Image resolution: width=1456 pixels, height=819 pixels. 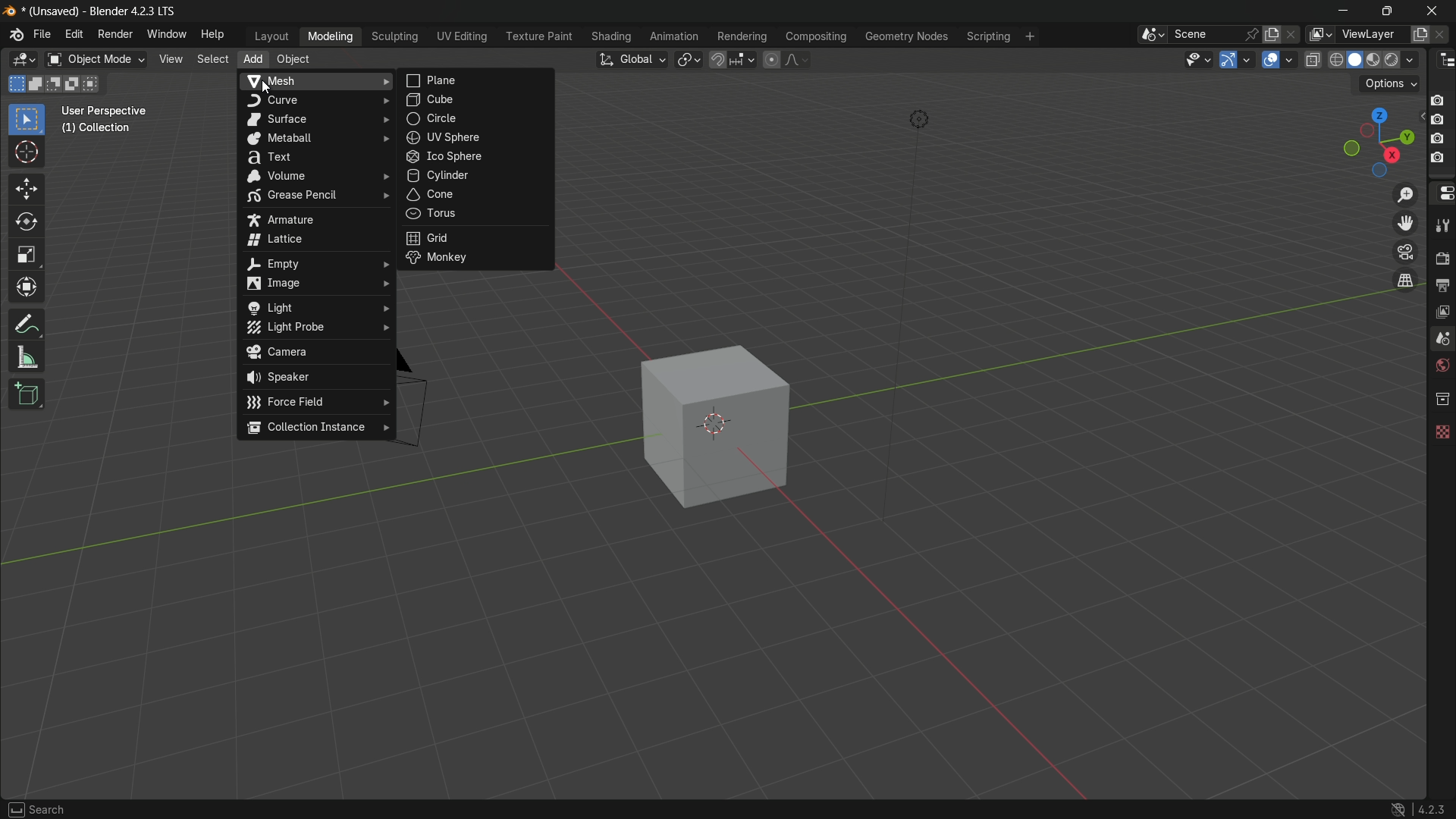 What do you see at coordinates (55, 83) in the screenshot?
I see `subtract existing selection` at bounding box center [55, 83].